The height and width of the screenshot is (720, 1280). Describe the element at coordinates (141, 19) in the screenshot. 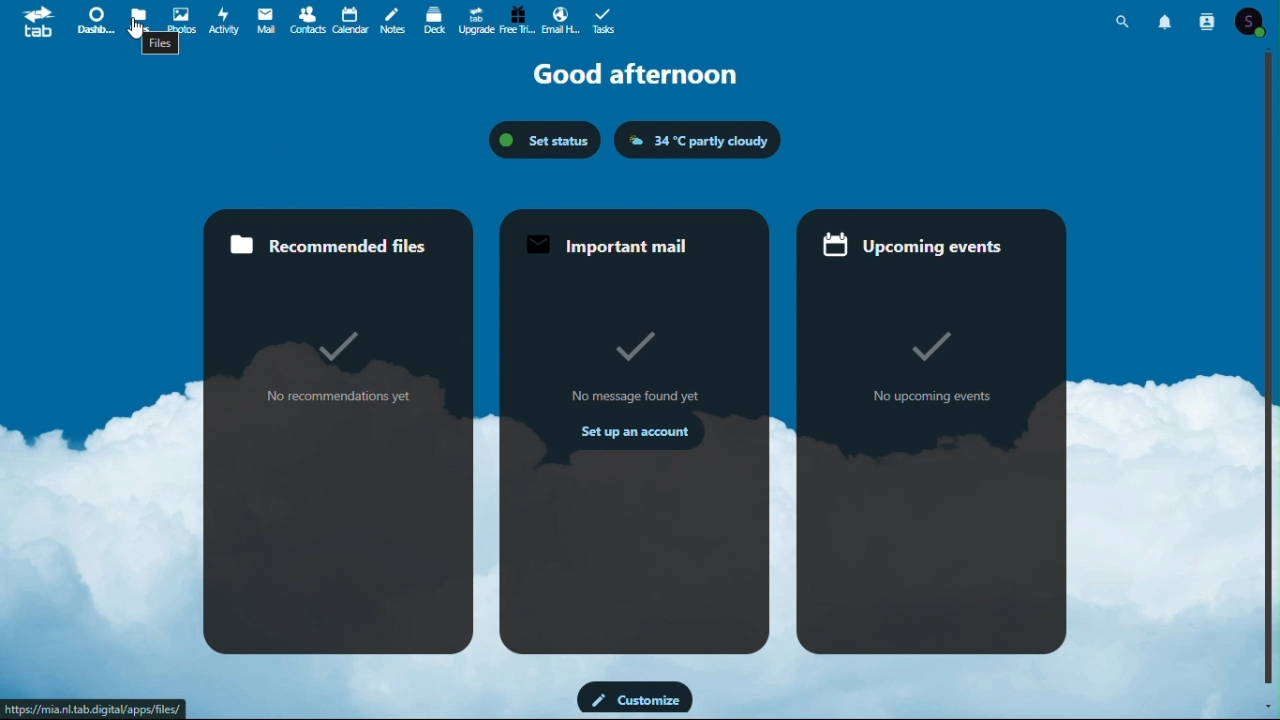

I see `Files` at that location.